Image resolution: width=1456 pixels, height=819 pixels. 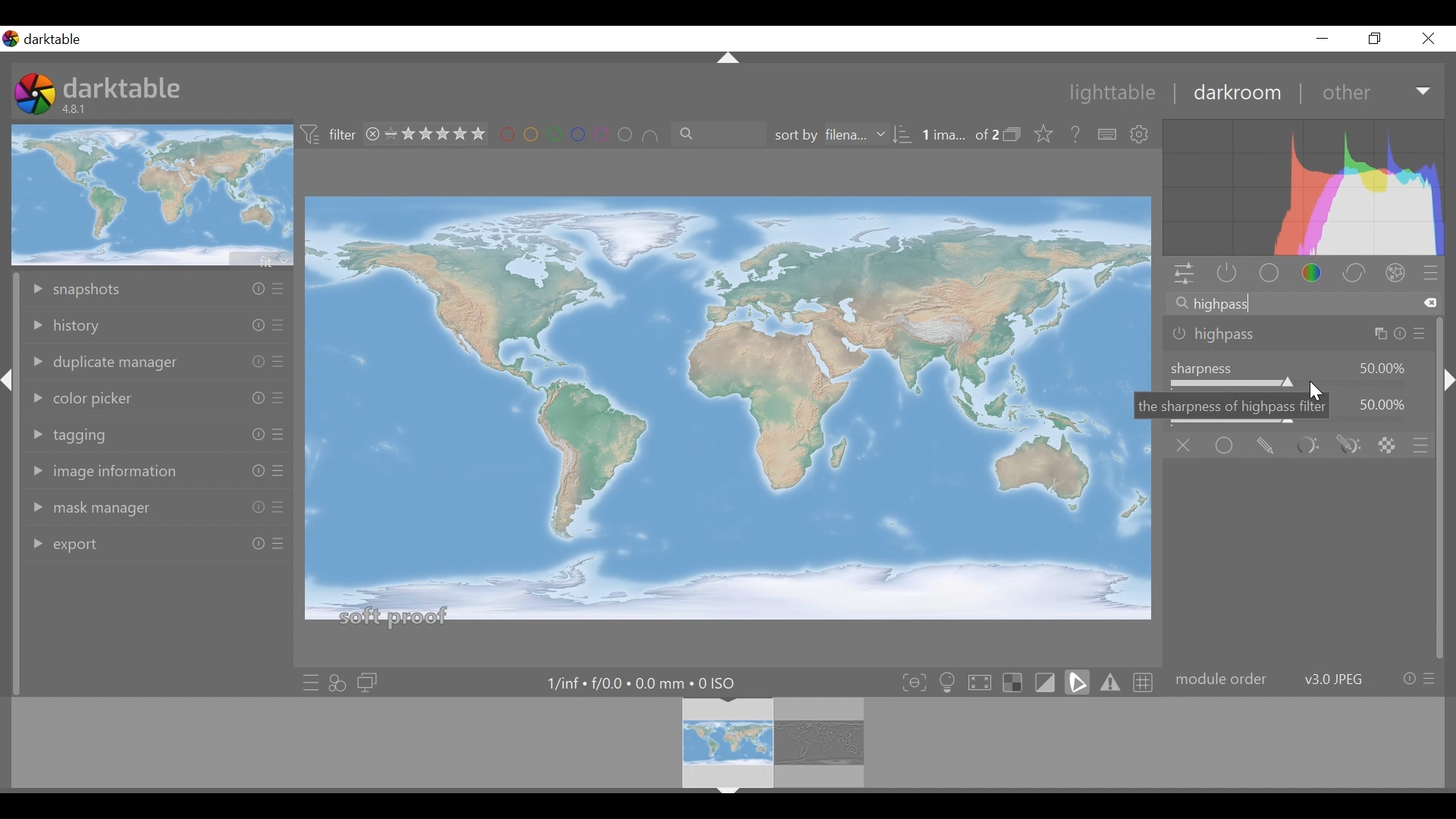 I want to click on restore, so click(x=1376, y=39).